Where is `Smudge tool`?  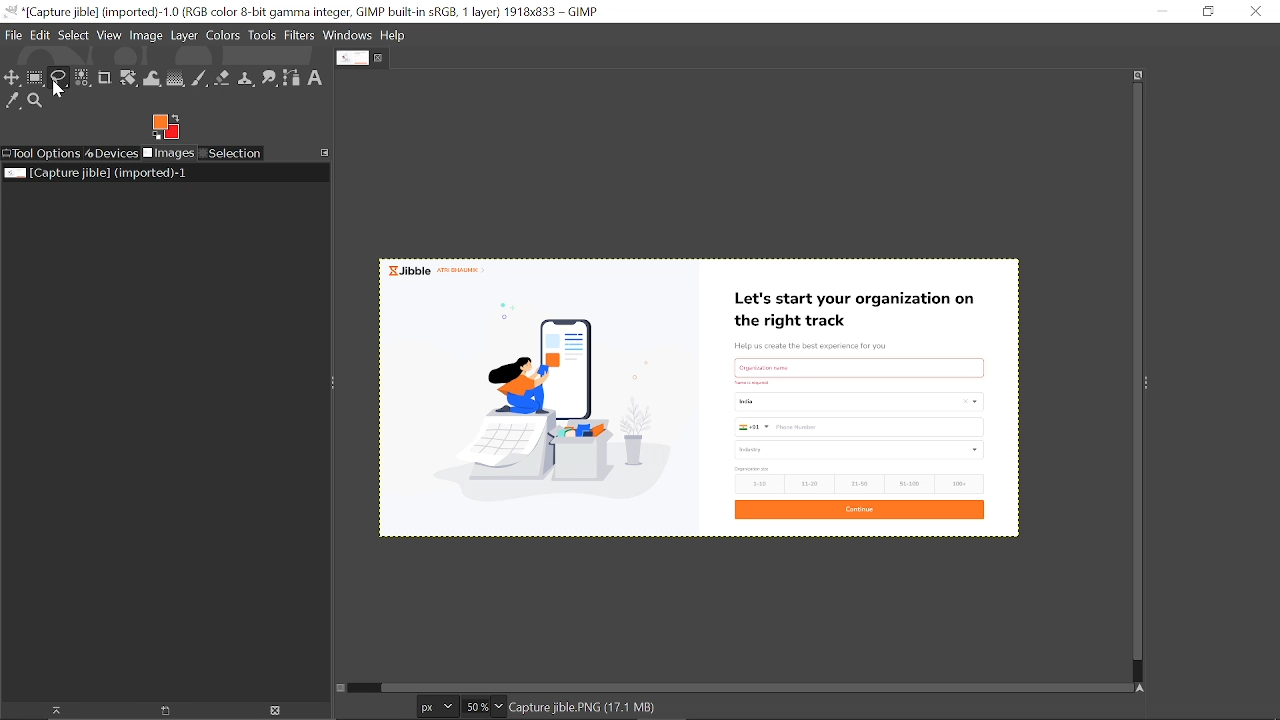
Smudge tool is located at coordinates (270, 79).